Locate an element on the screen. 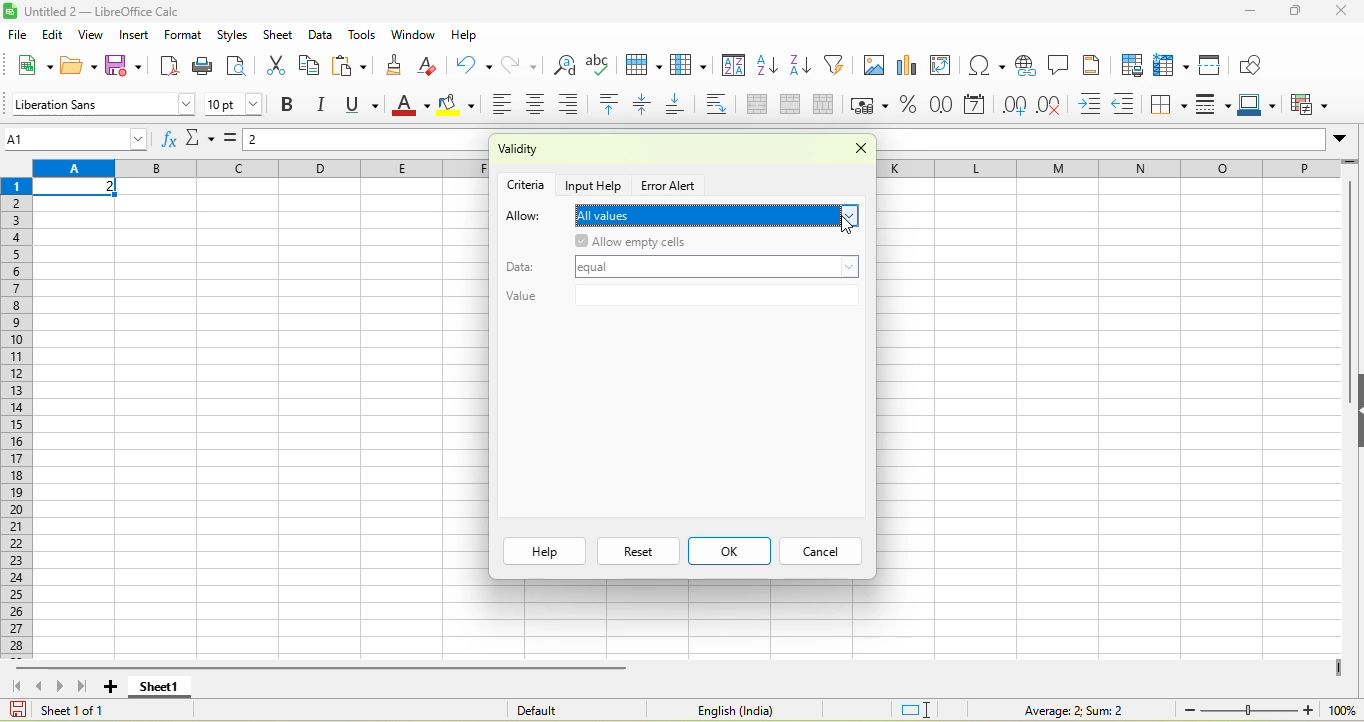  cut is located at coordinates (273, 67).